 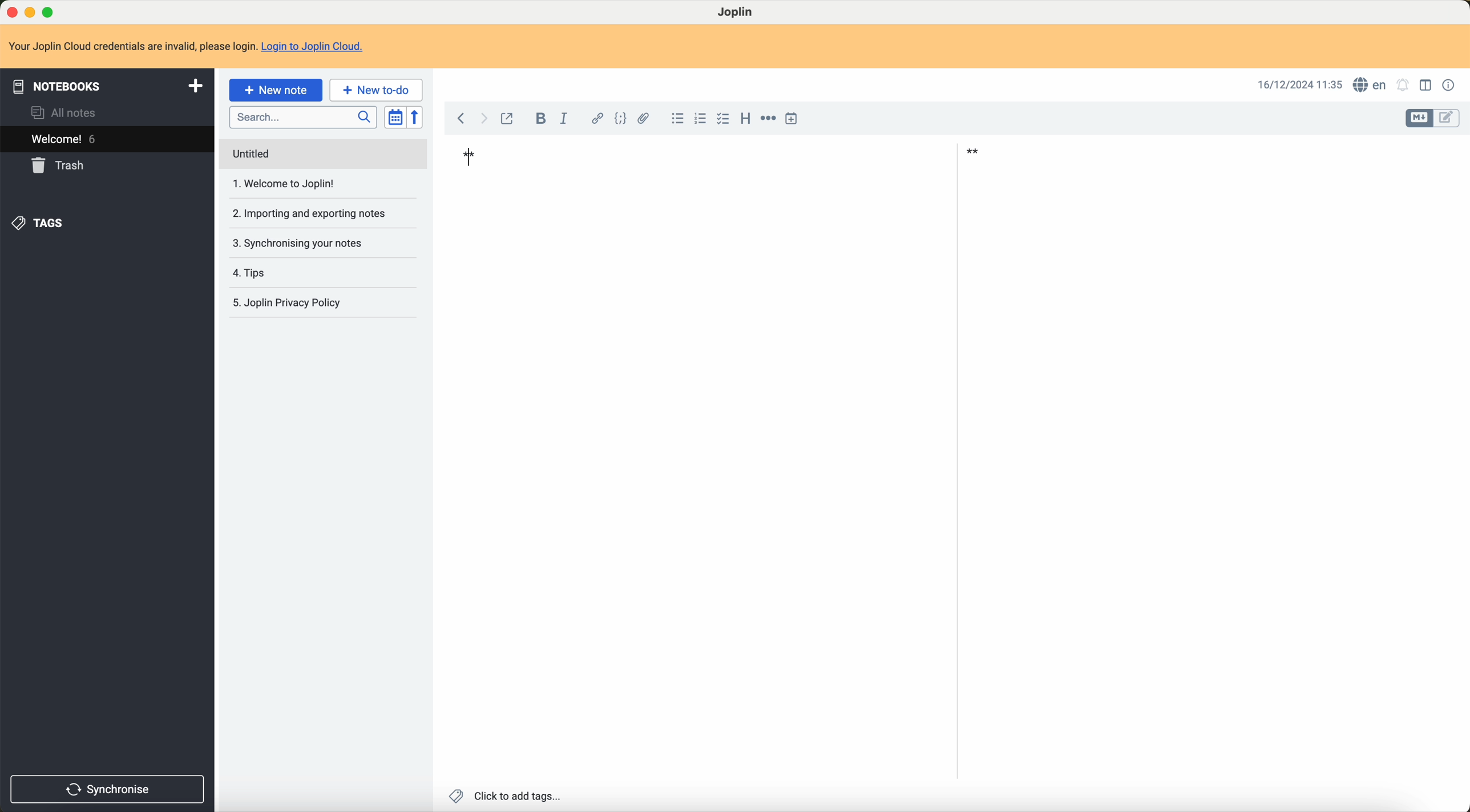 I want to click on toggle editor layout, so click(x=1425, y=87).